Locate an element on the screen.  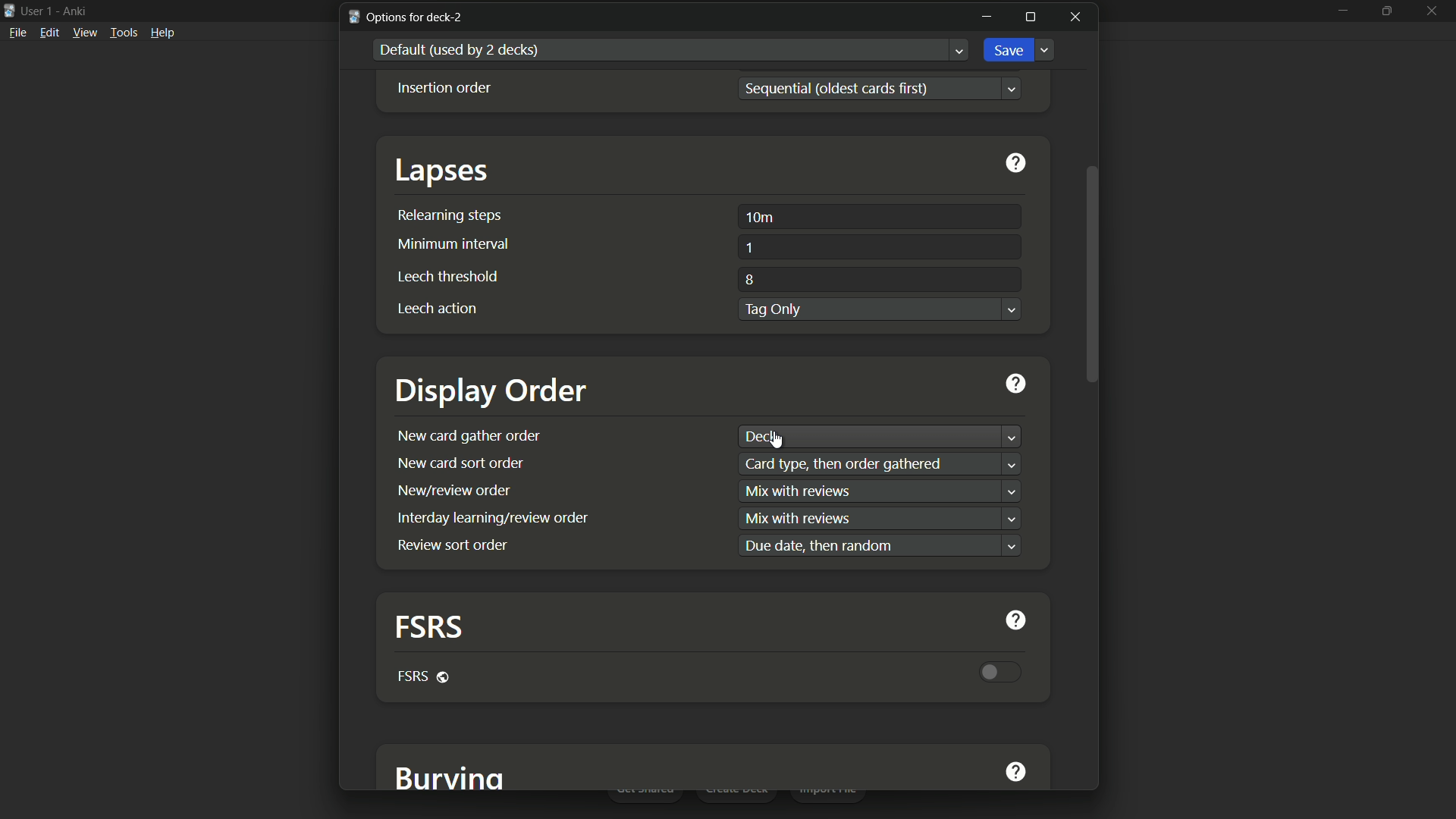
close app is located at coordinates (1436, 10).